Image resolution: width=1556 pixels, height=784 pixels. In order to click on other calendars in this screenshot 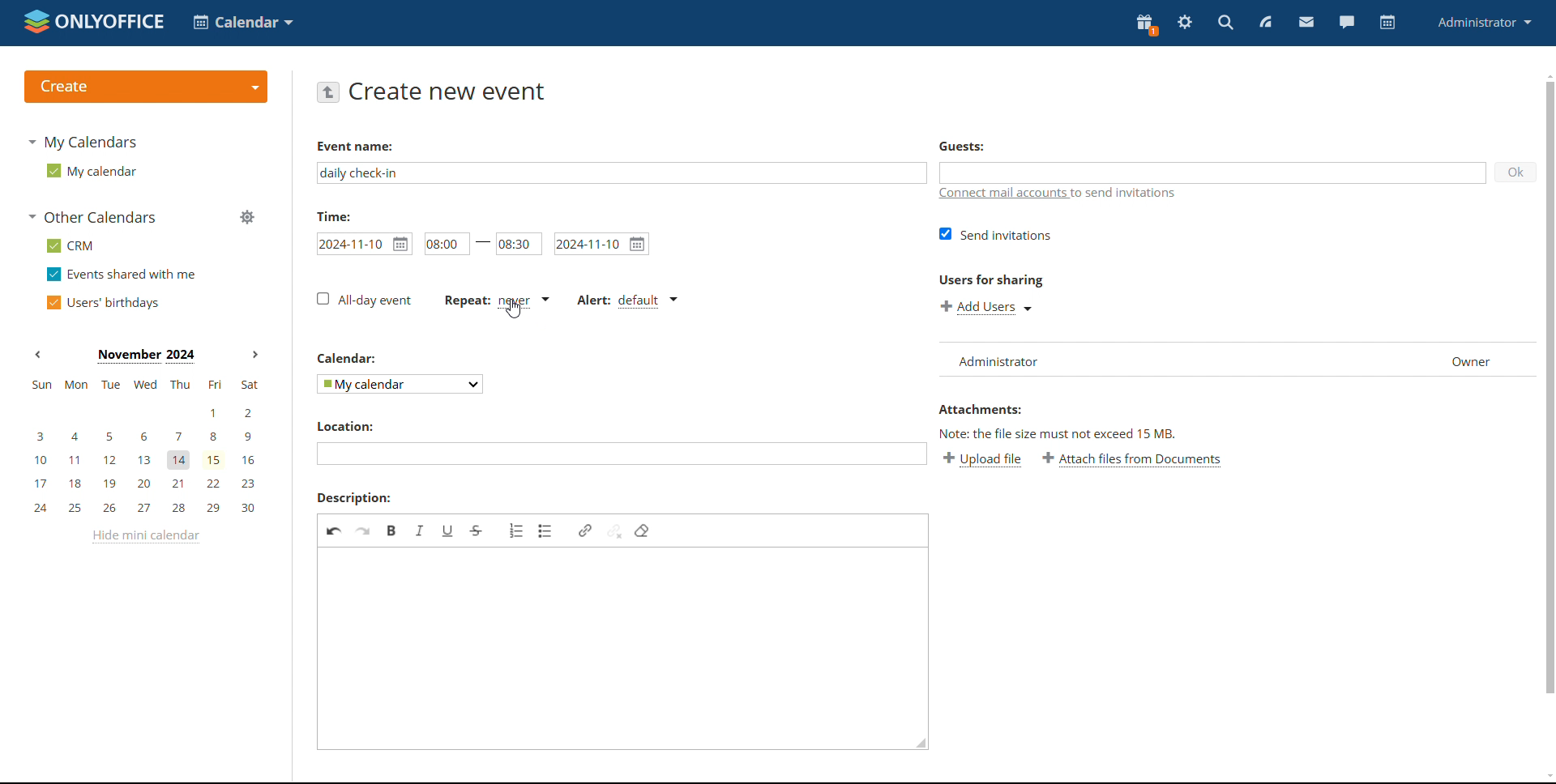, I will do `click(91, 219)`.